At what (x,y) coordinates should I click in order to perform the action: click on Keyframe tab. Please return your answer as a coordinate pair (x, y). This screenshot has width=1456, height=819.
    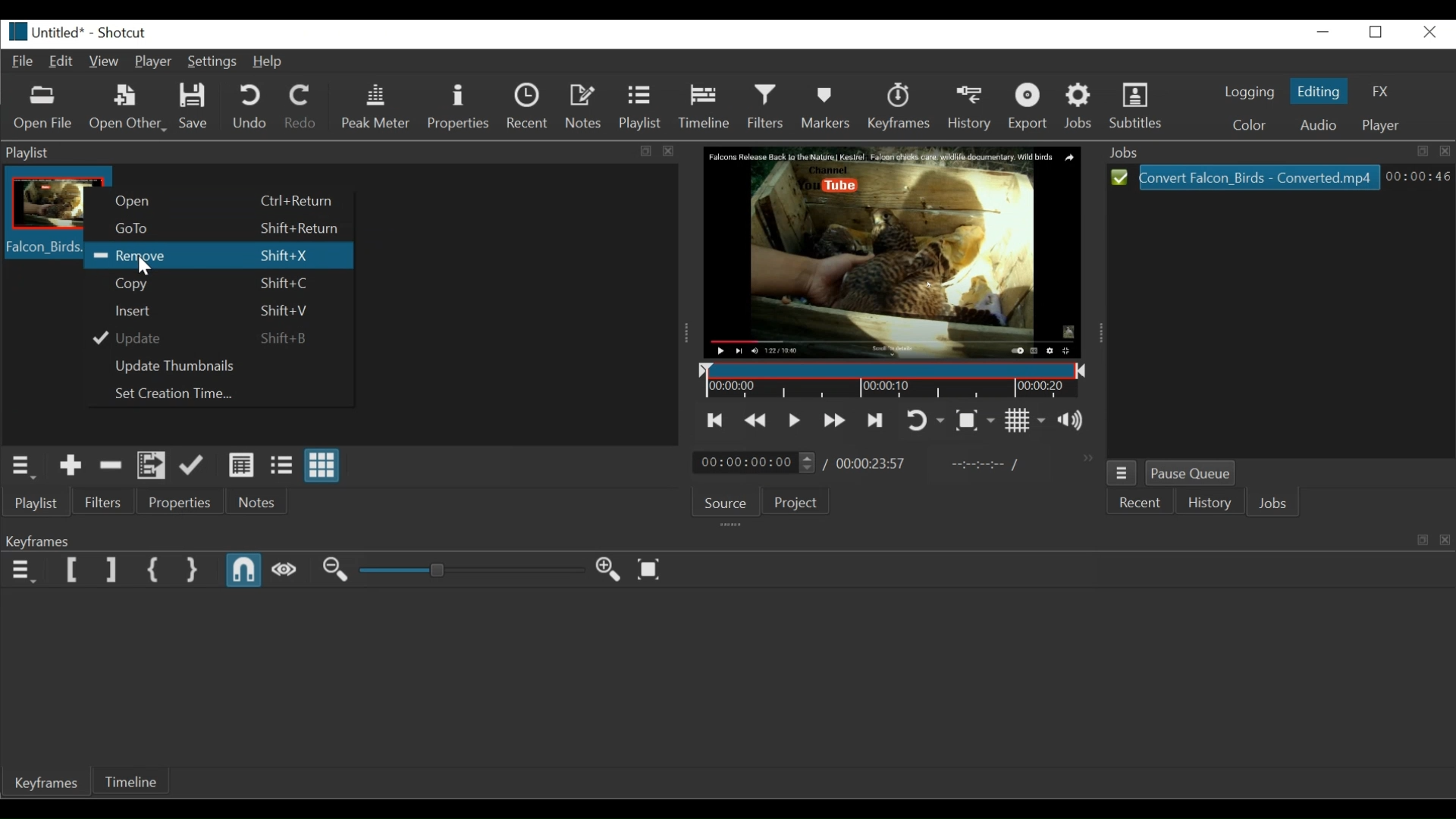
    Looking at the image, I should click on (693, 541).